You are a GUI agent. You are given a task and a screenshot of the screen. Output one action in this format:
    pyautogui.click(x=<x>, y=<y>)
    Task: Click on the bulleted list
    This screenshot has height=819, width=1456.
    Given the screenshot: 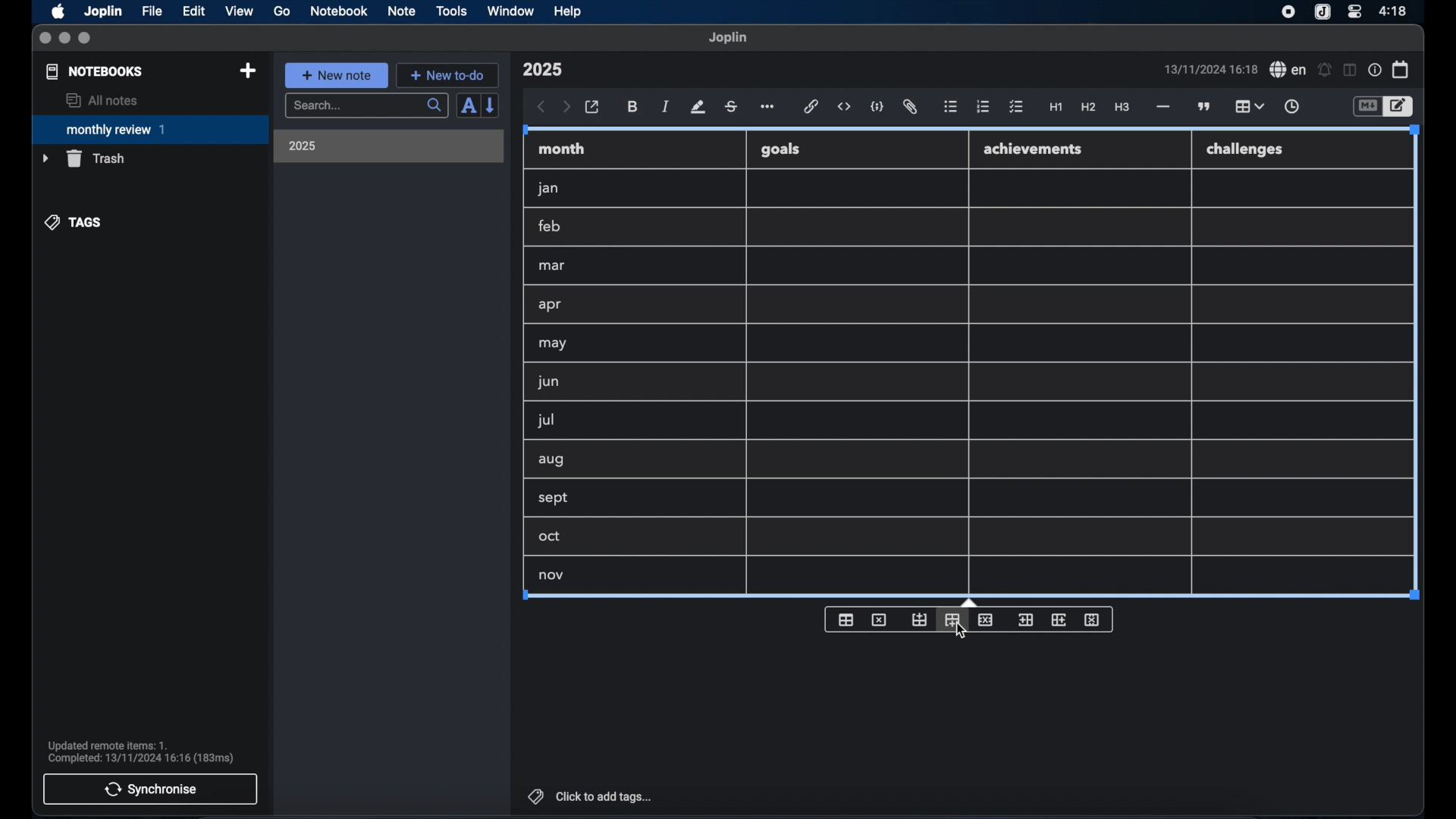 What is the action you would take?
    pyautogui.click(x=950, y=107)
    